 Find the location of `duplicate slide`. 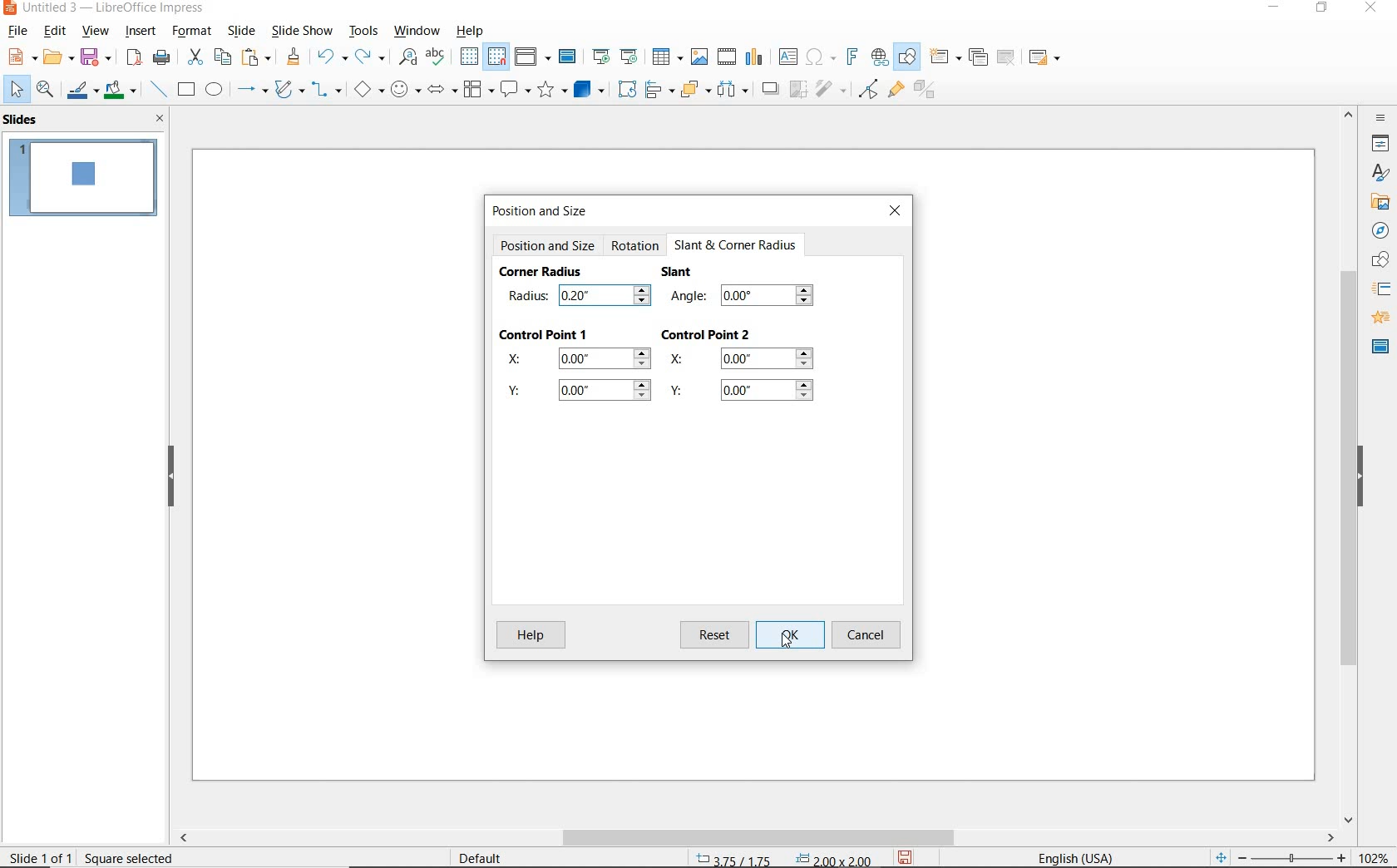

duplicate slide is located at coordinates (979, 57).